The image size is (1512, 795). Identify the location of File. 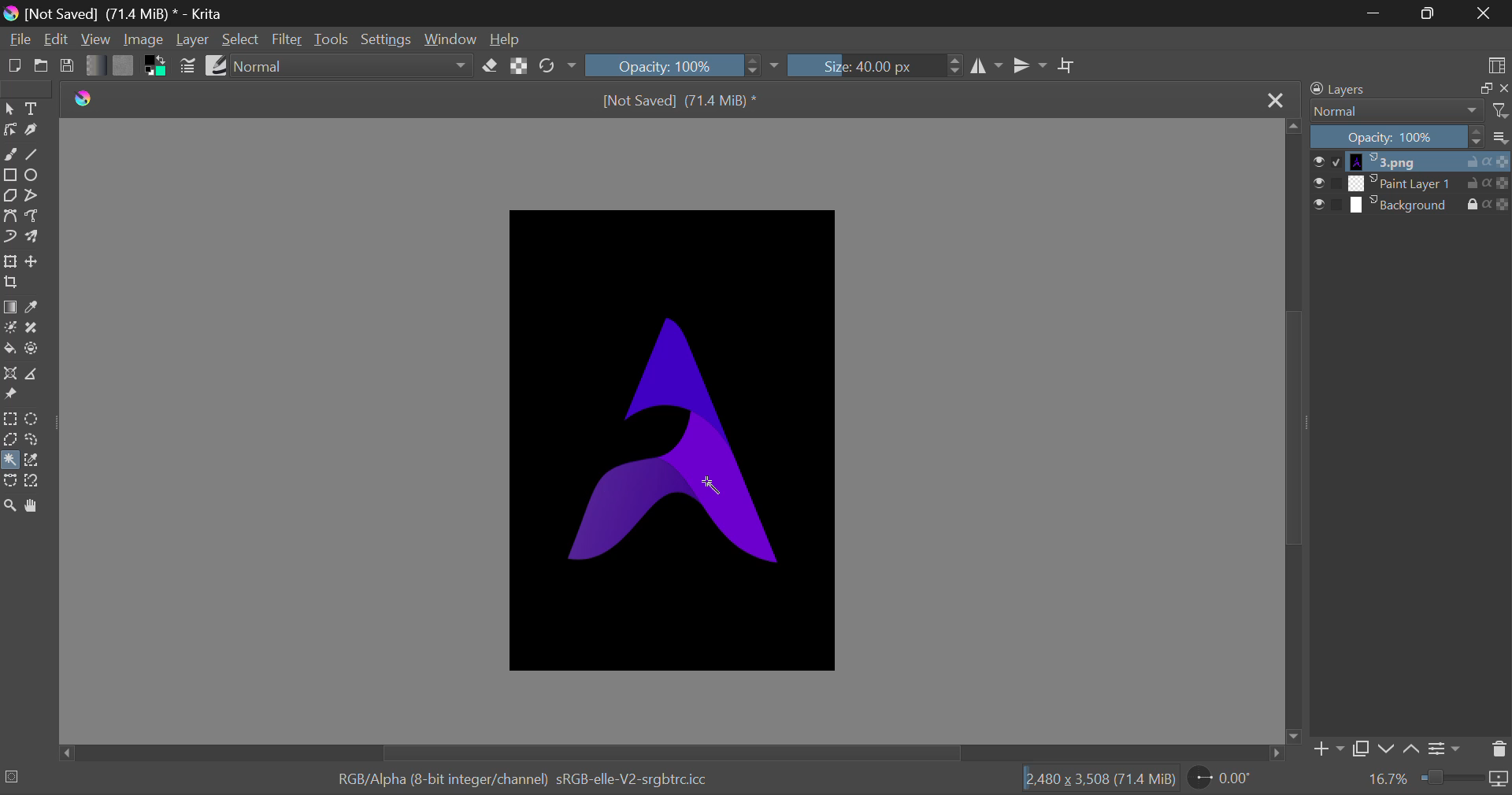
(19, 39).